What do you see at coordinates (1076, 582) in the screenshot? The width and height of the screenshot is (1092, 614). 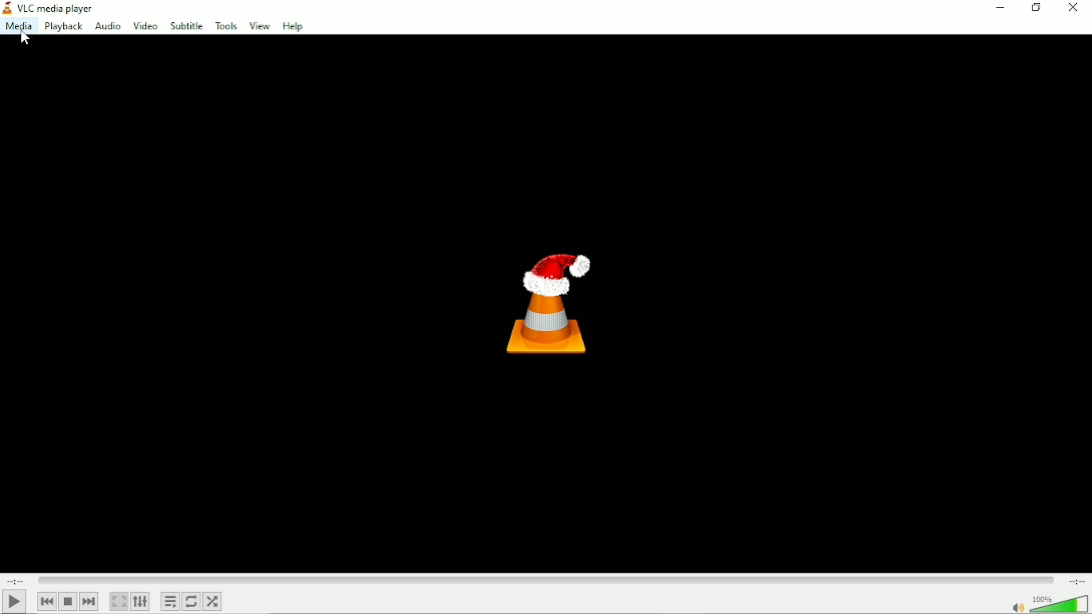 I see `Total duration` at bounding box center [1076, 582].